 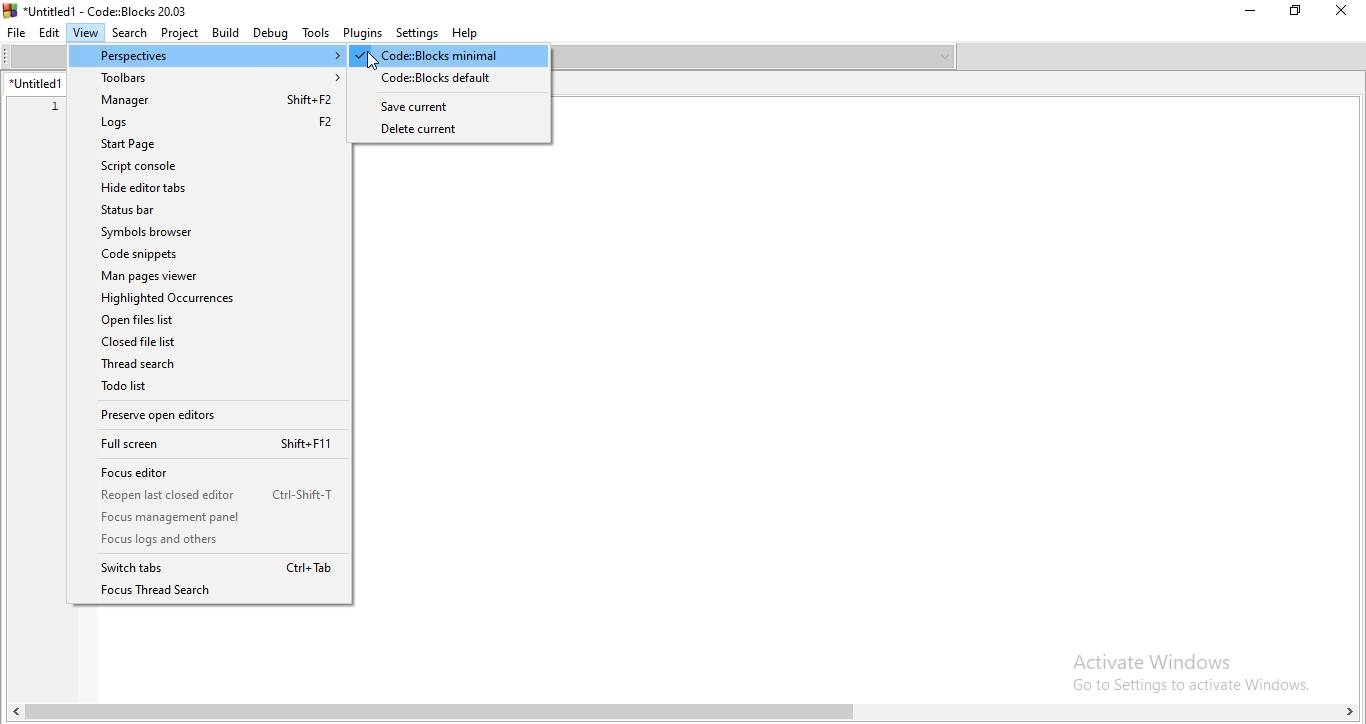 I want to click on Restore, so click(x=1297, y=12).